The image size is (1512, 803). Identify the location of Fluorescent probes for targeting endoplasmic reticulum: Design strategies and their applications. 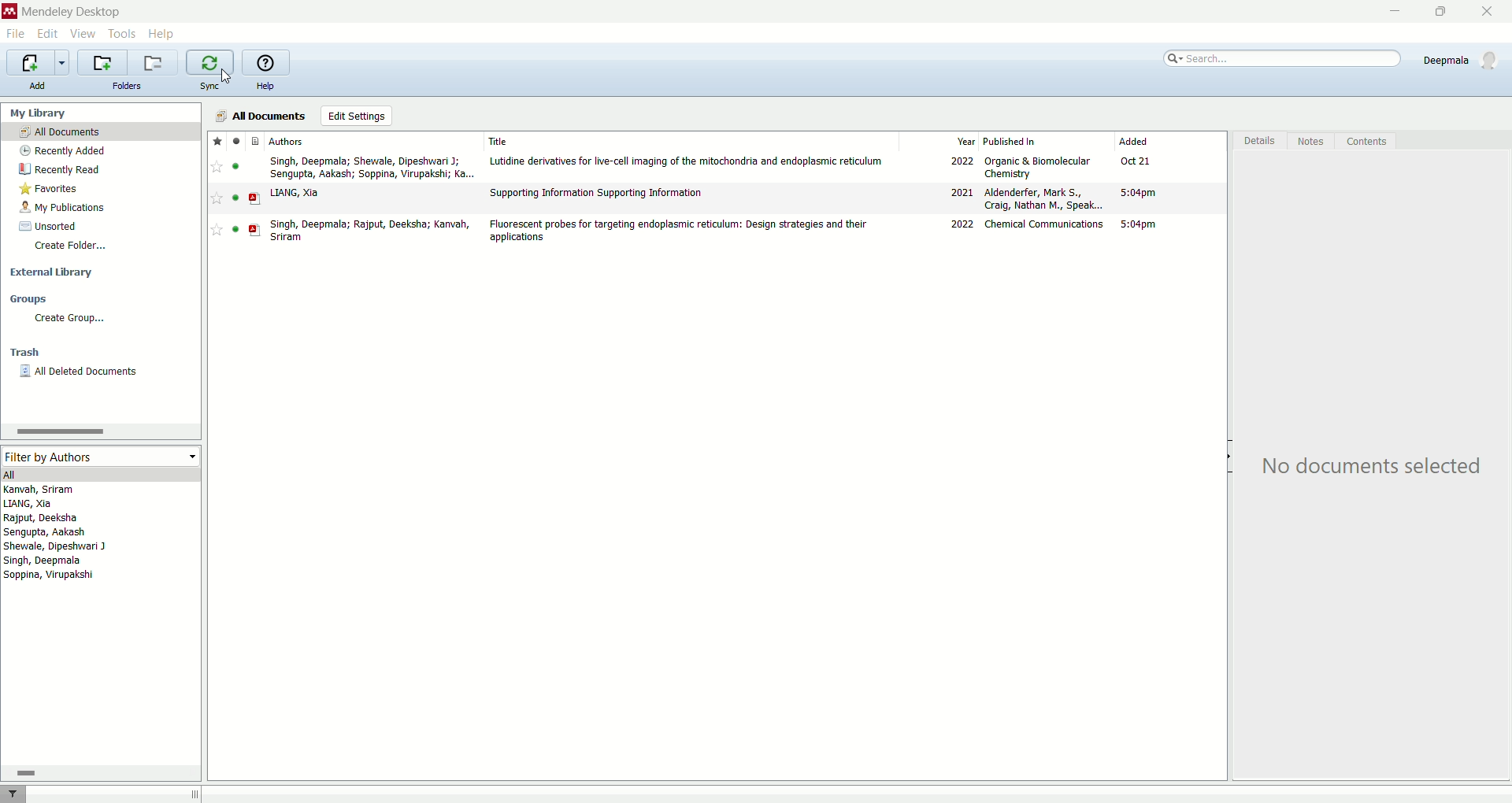
(680, 231).